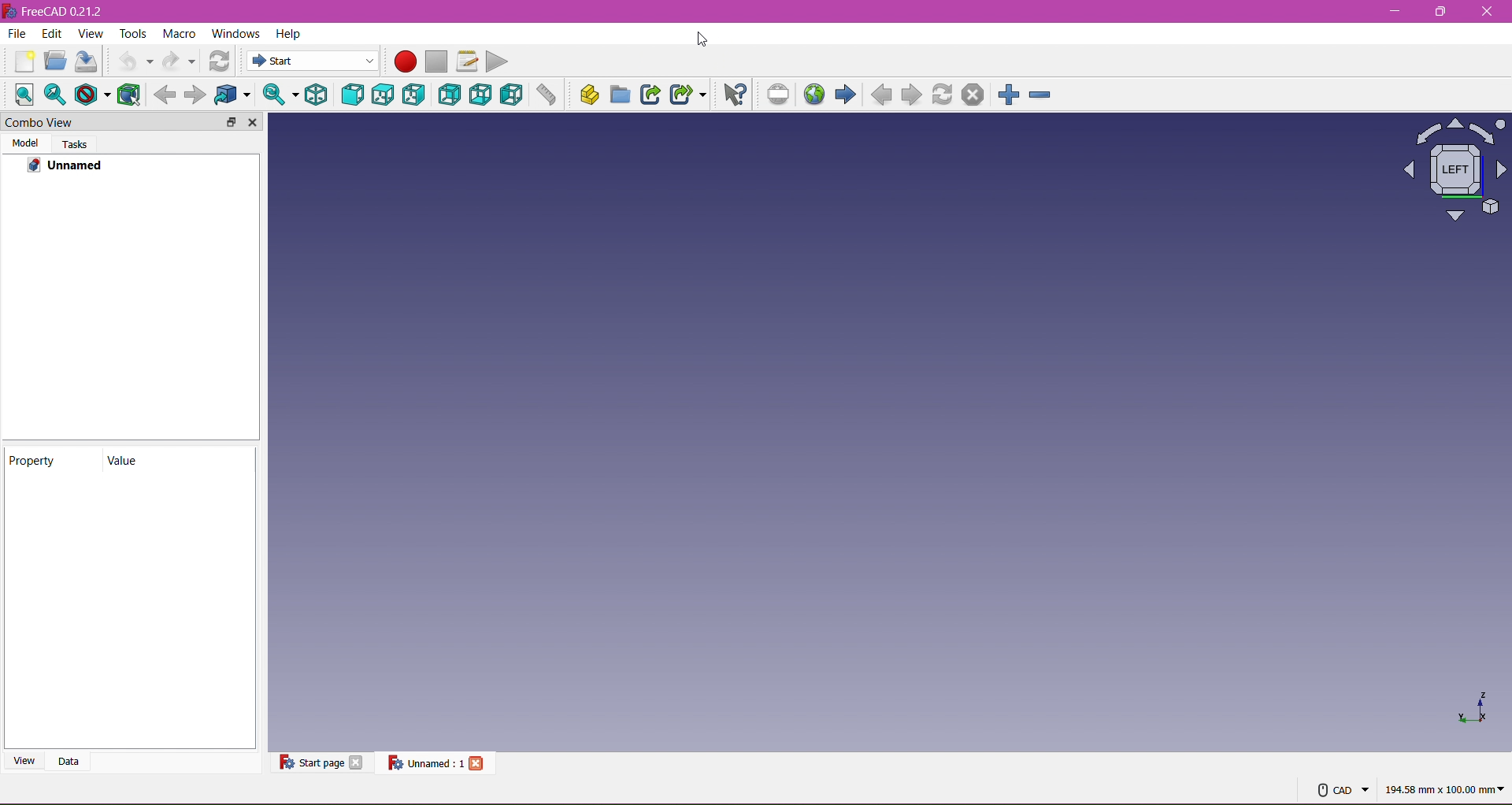  Describe the element at coordinates (845, 95) in the screenshot. I see `Forward Navigation` at that location.